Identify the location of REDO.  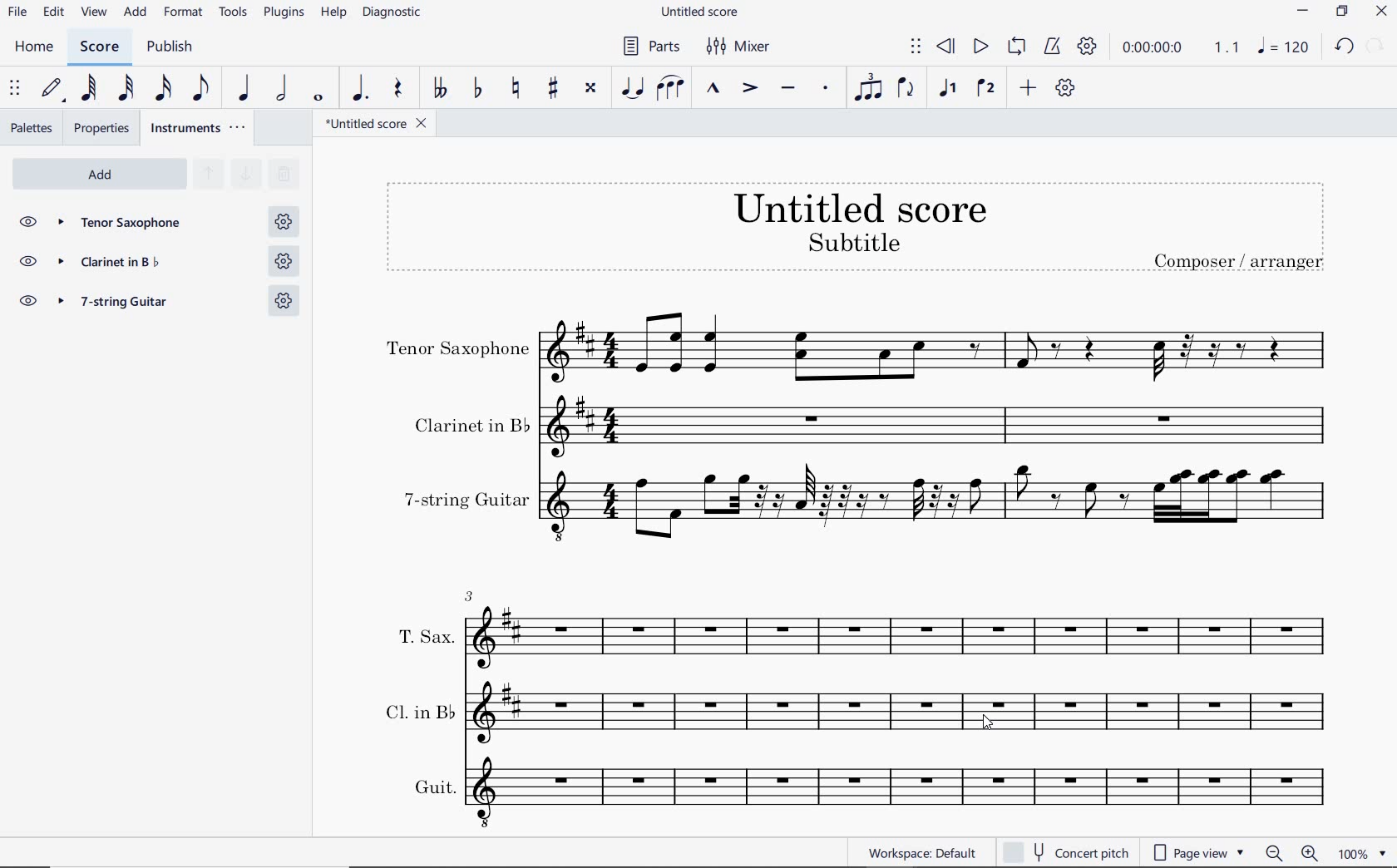
(1374, 47).